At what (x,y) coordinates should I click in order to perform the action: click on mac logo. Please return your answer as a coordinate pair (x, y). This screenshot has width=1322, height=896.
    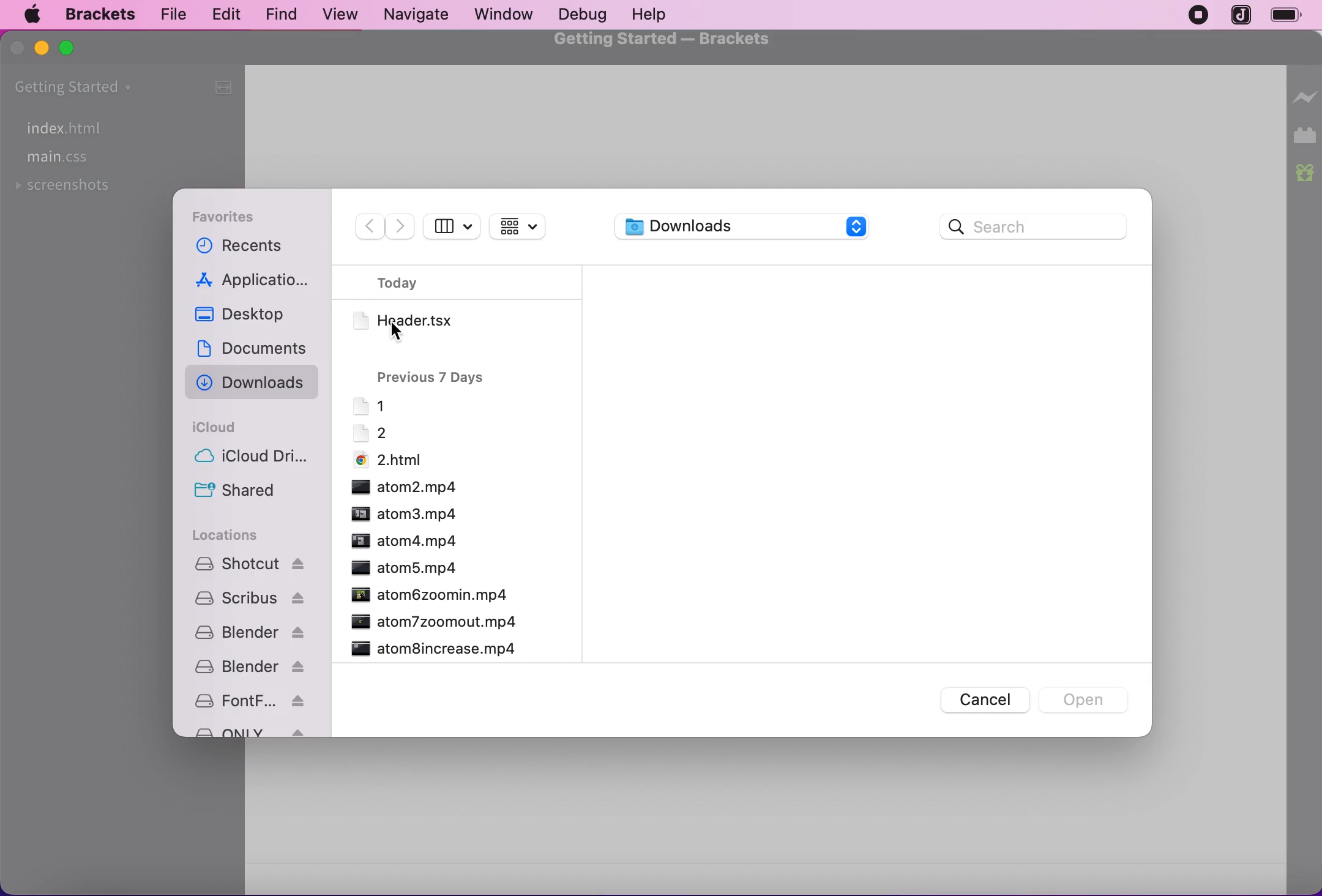
    Looking at the image, I should click on (31, 16).